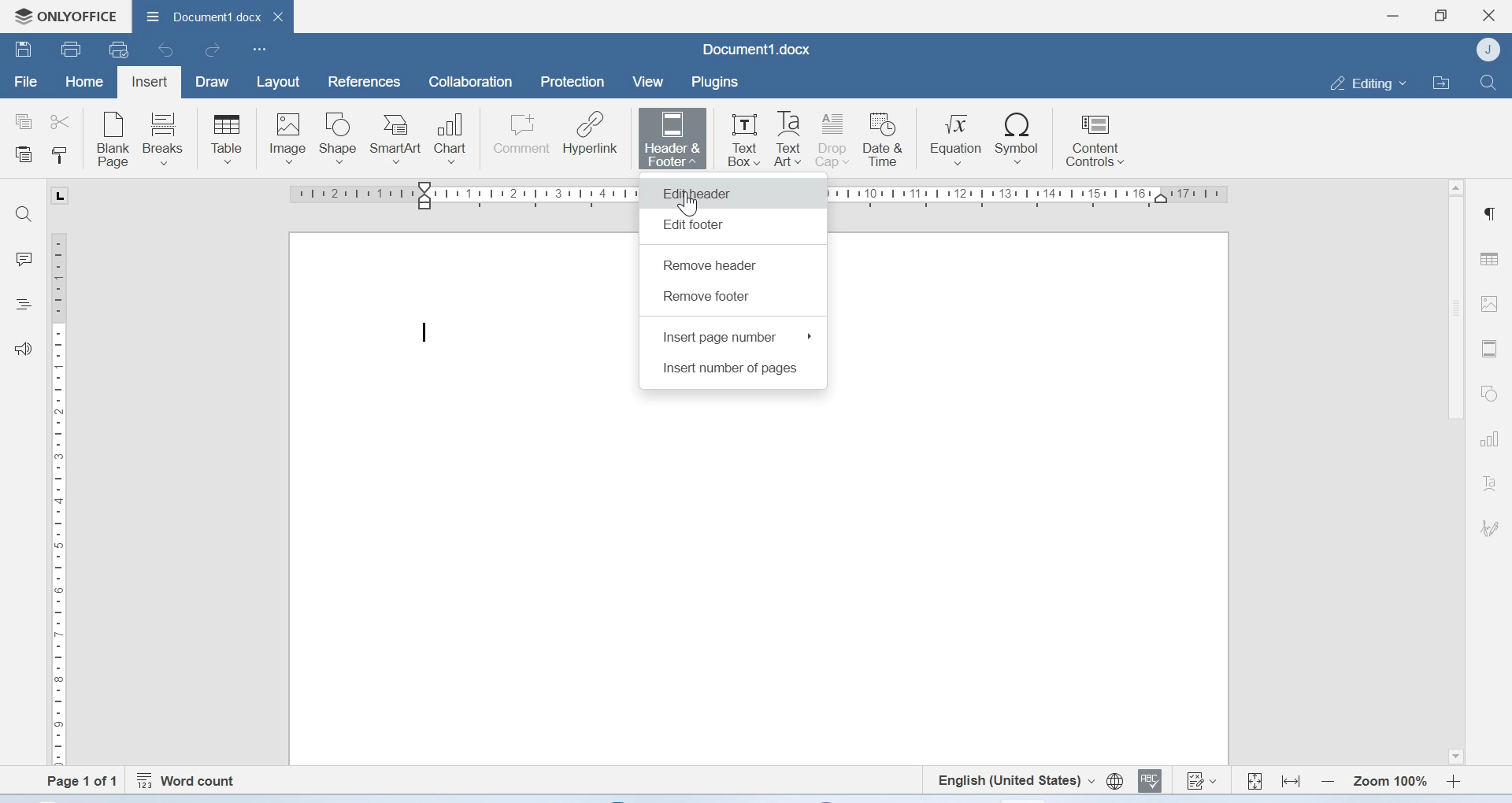  Describe the element at coordinates (1440, 81) in the screenshot. I see `Open file location` at that location.